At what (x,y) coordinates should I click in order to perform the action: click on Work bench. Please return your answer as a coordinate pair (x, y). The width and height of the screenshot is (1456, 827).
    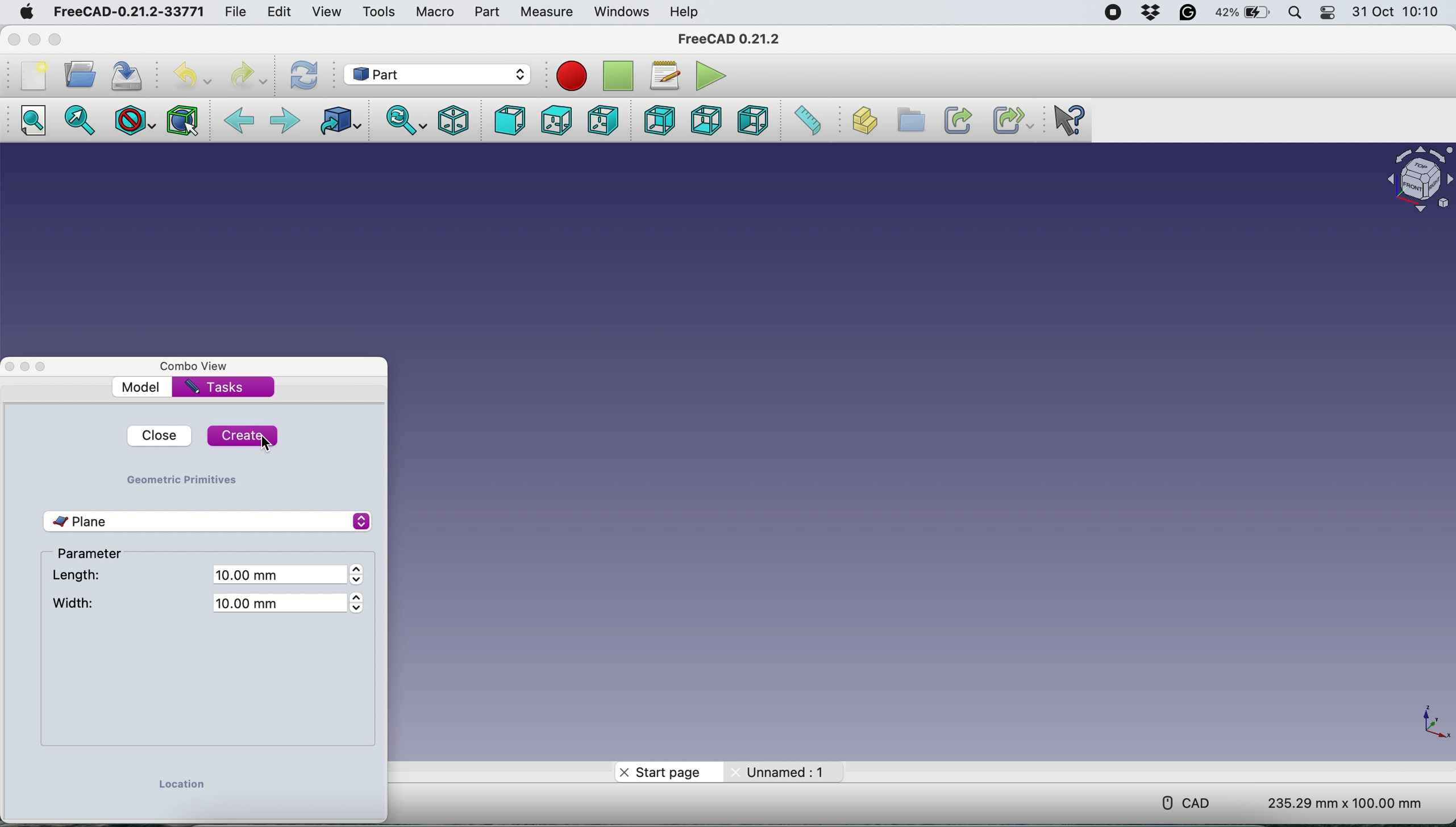
    Looking at the image, I should click on (442, 75).